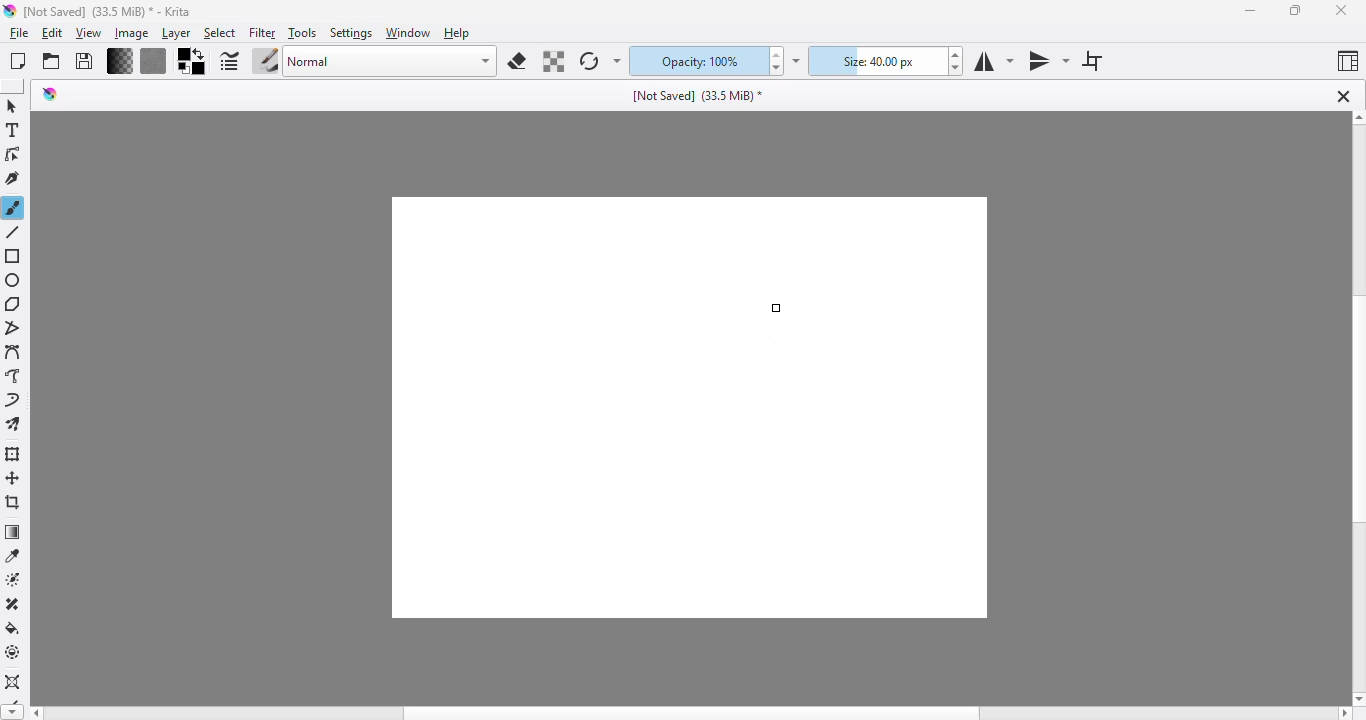  Describe the element at coordinates (52, 34) in the screenshot. I see `edit` at that location.